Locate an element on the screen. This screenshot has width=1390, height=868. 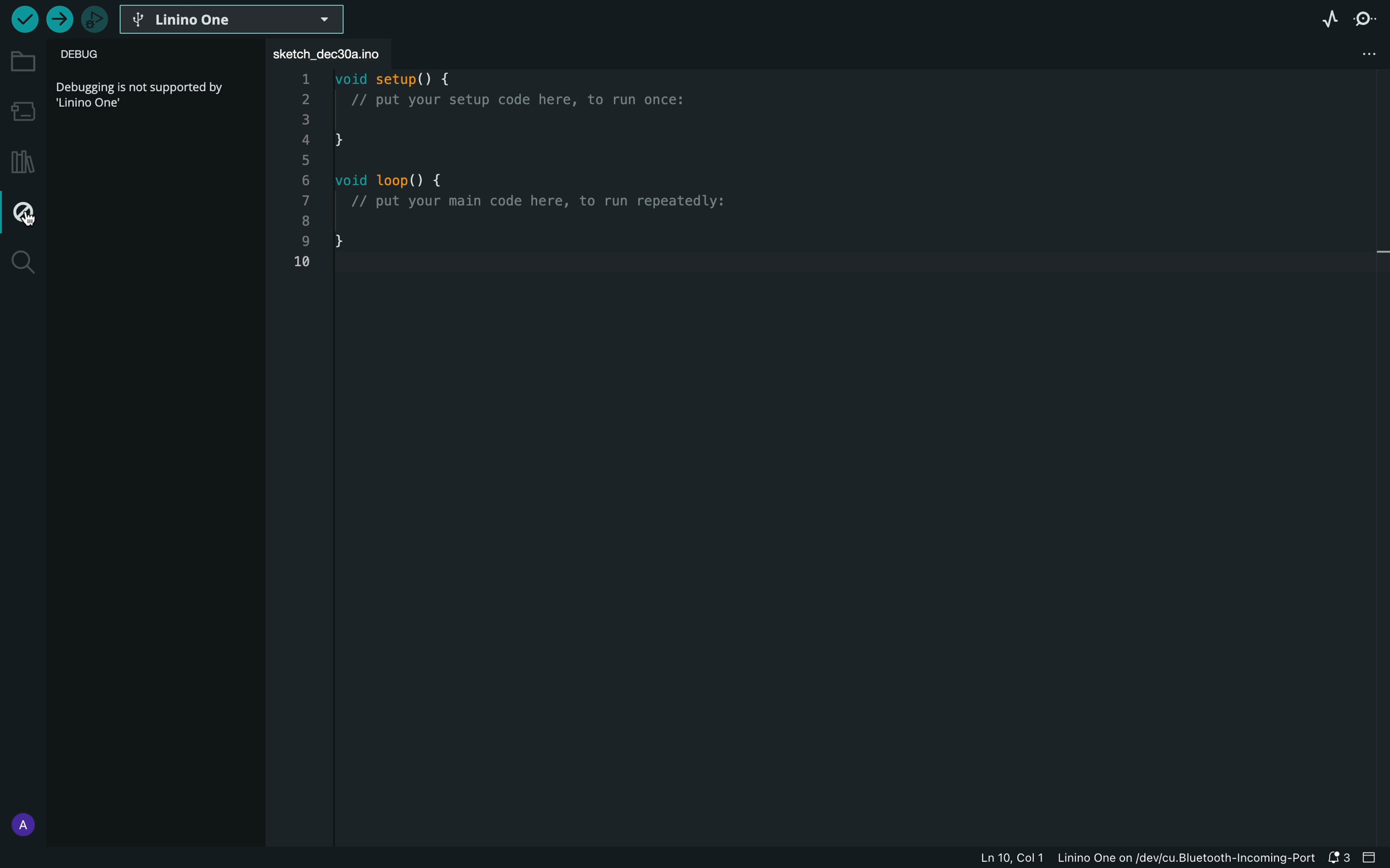
board manager is located at coordinates (21, 109).